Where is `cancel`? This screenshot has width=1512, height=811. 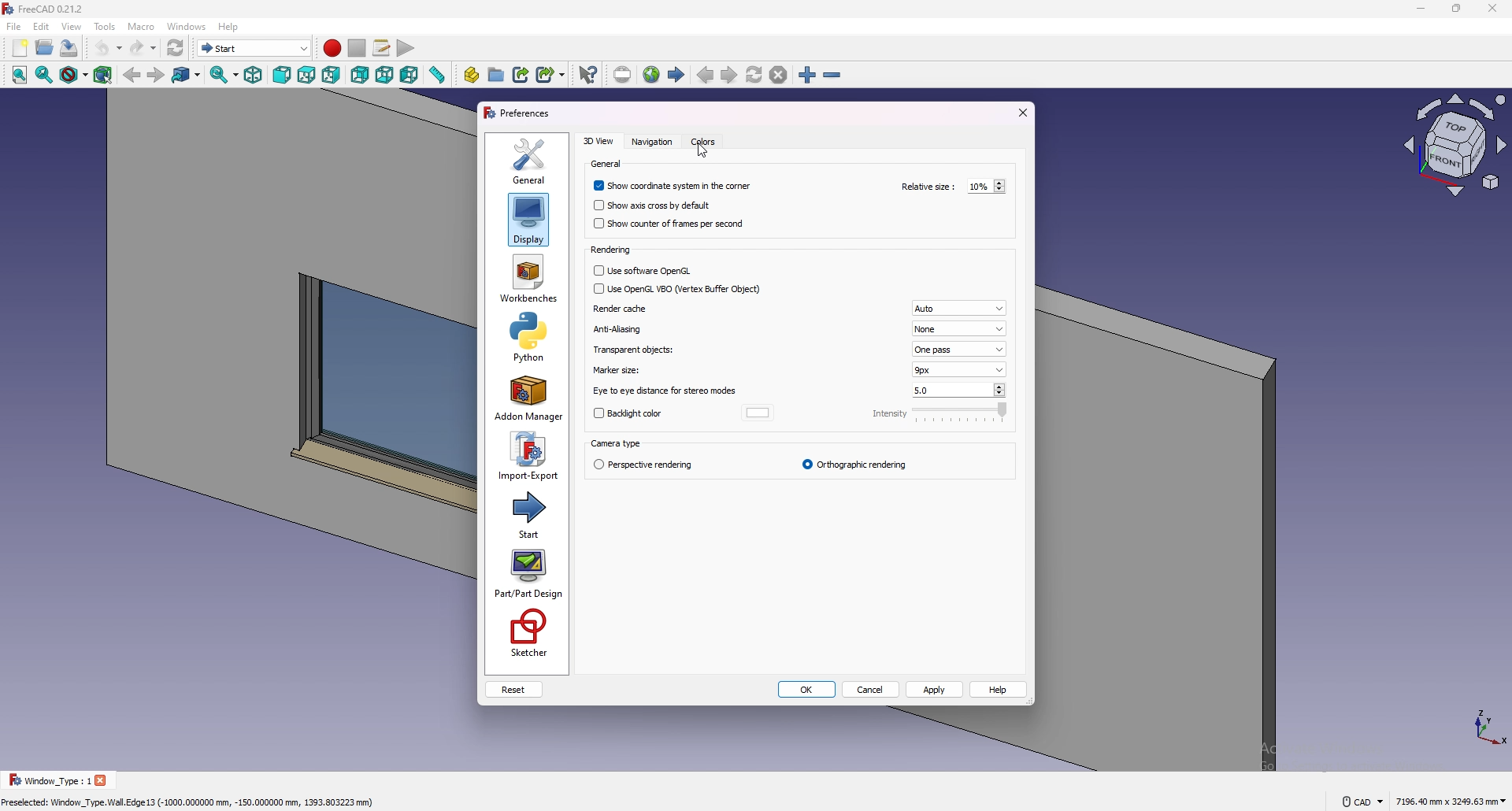 cancel is located at coordinates (872, 691).